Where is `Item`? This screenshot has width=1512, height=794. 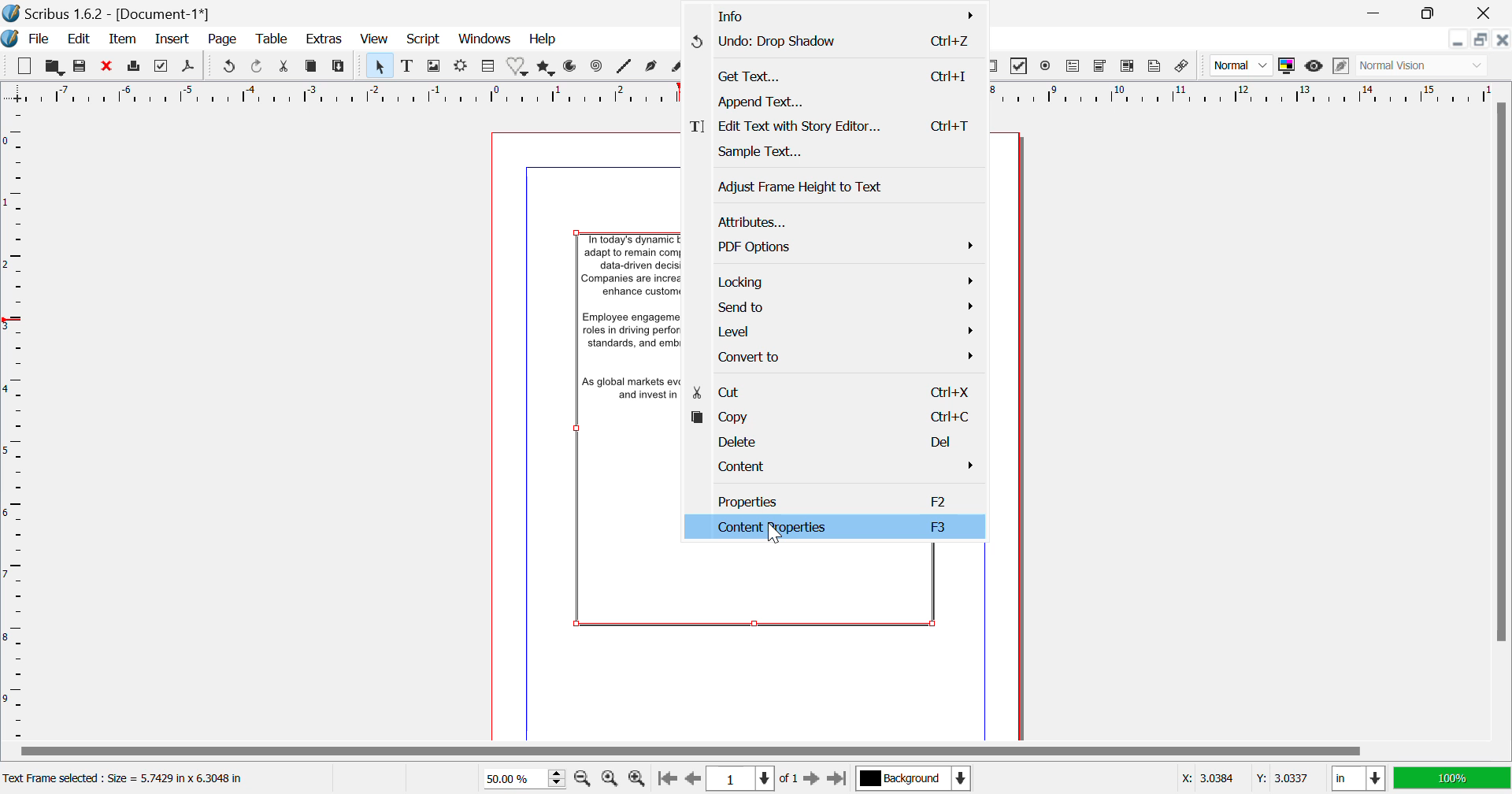 Item is located at coordinates (121, 40).